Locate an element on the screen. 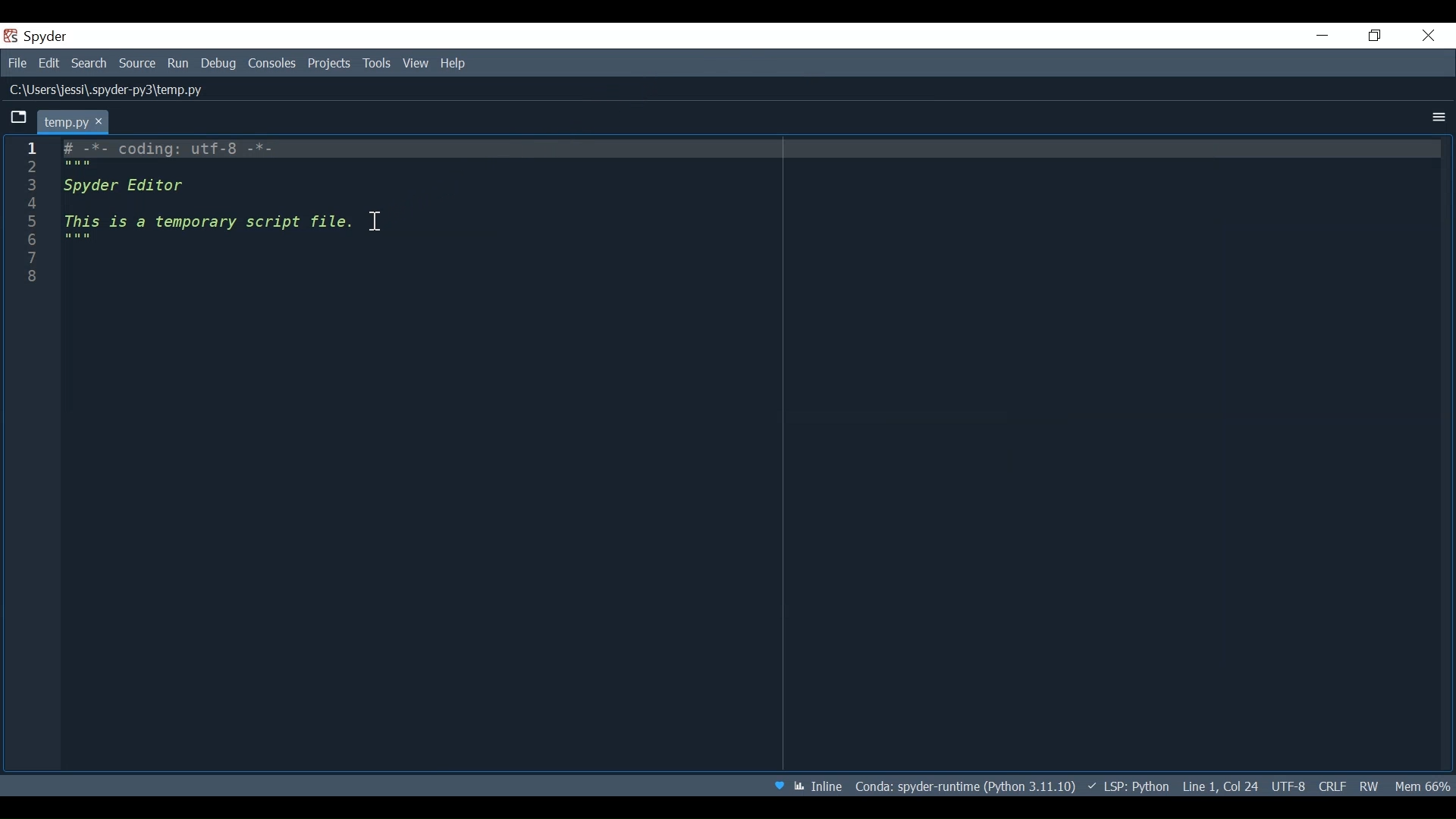 This screenshot has width=1456, height=819. Insertion Cursor is located at coordinates (375, 222).